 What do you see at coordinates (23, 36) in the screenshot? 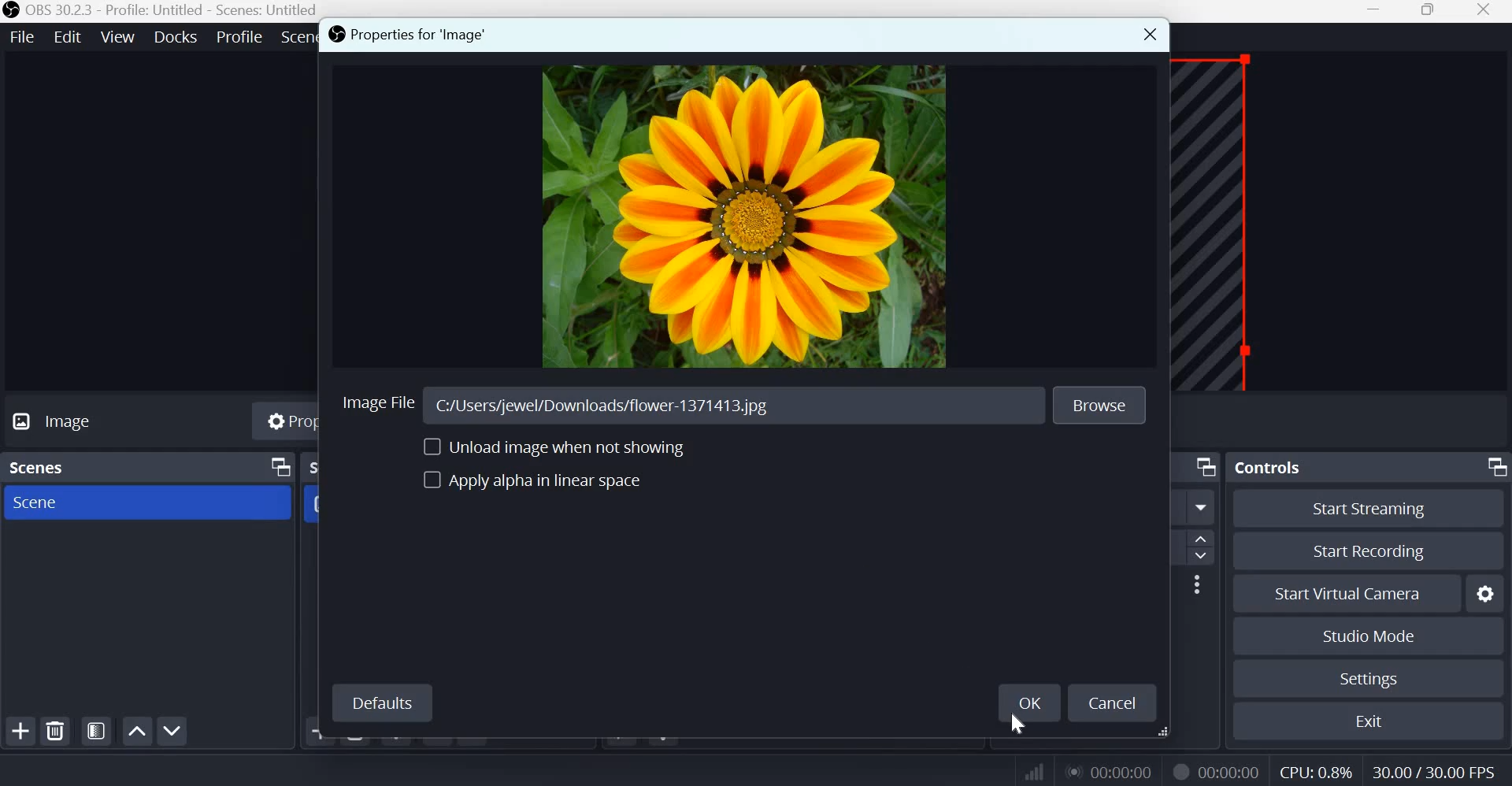
I see `file` at bounding box center [23, 36].